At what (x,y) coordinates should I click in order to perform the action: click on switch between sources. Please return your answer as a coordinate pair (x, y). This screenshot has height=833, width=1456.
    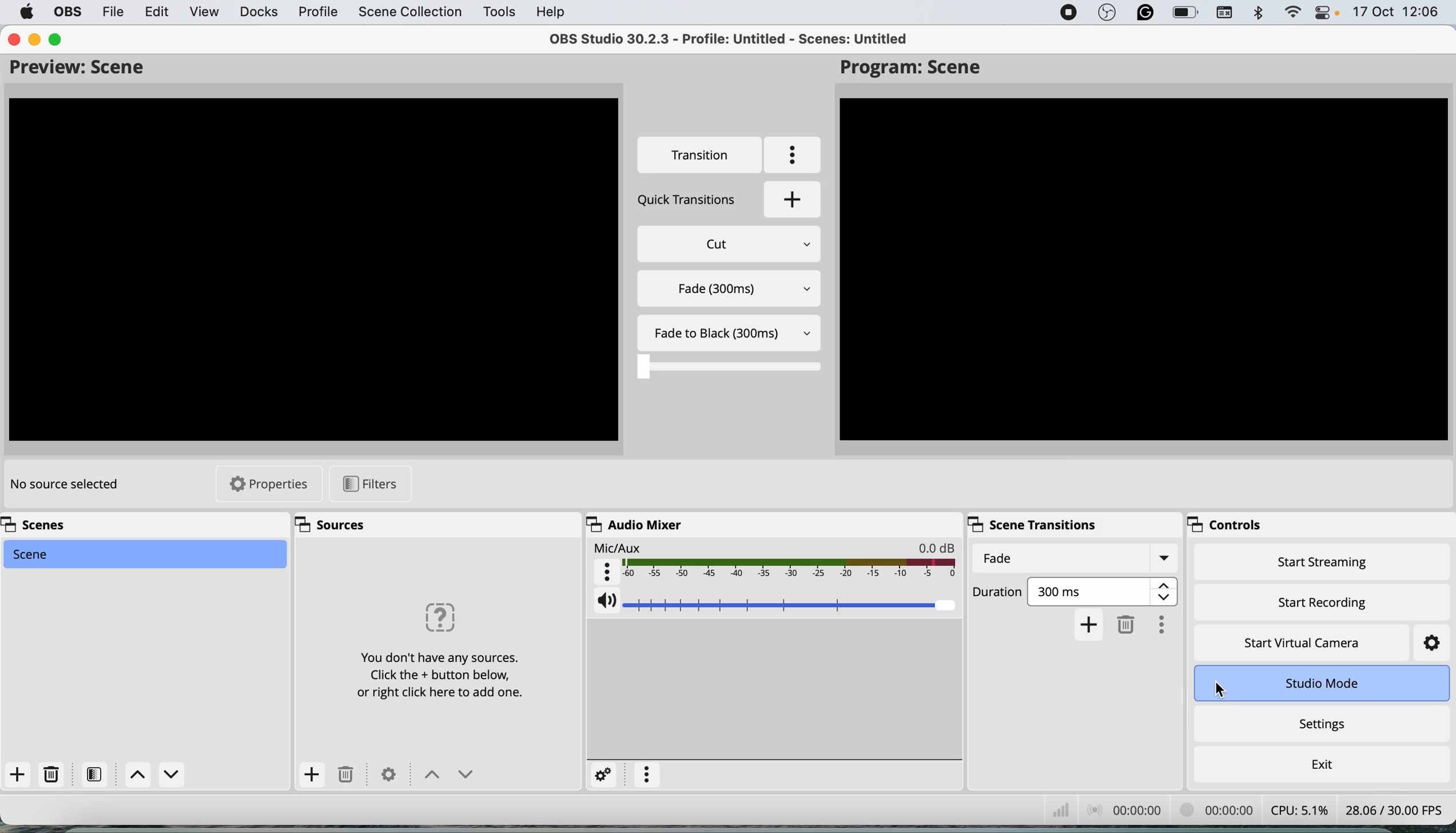
    Looking at the image, I should click on (445, 776).